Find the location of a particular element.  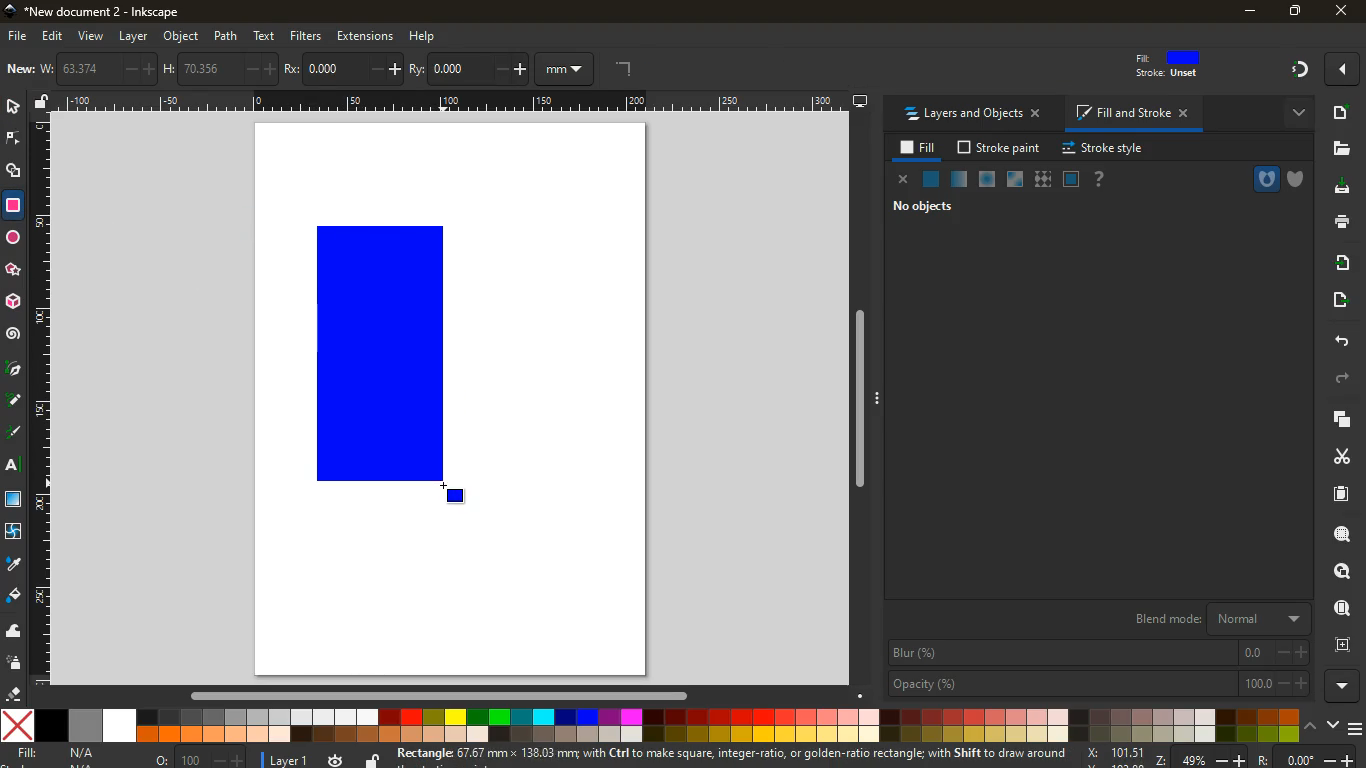

opacity is located at coordinates (959, 178).